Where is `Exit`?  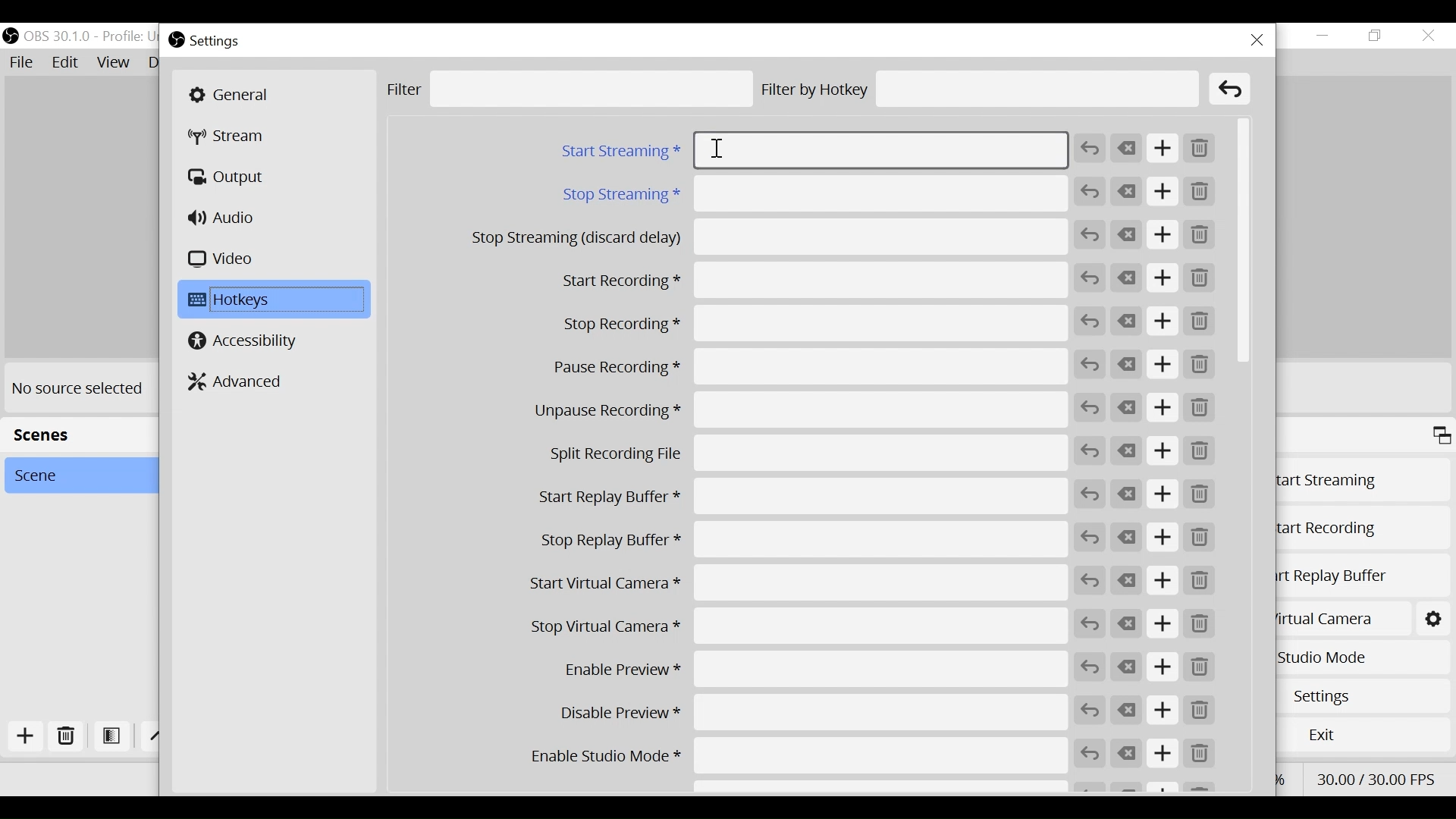 Exit is located at coordinates (1367, 733).